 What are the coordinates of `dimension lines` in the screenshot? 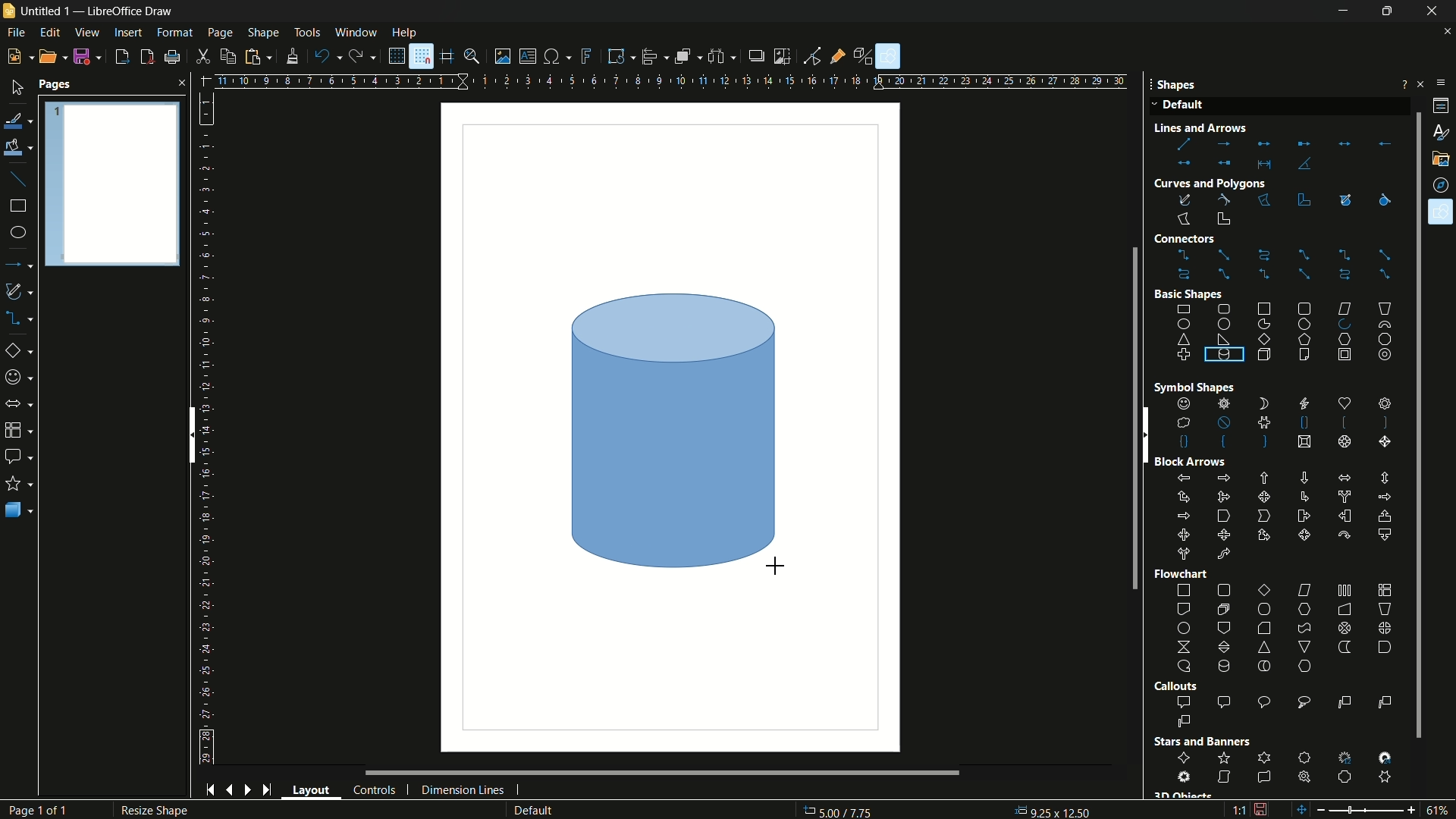 It's located at (463, 792).